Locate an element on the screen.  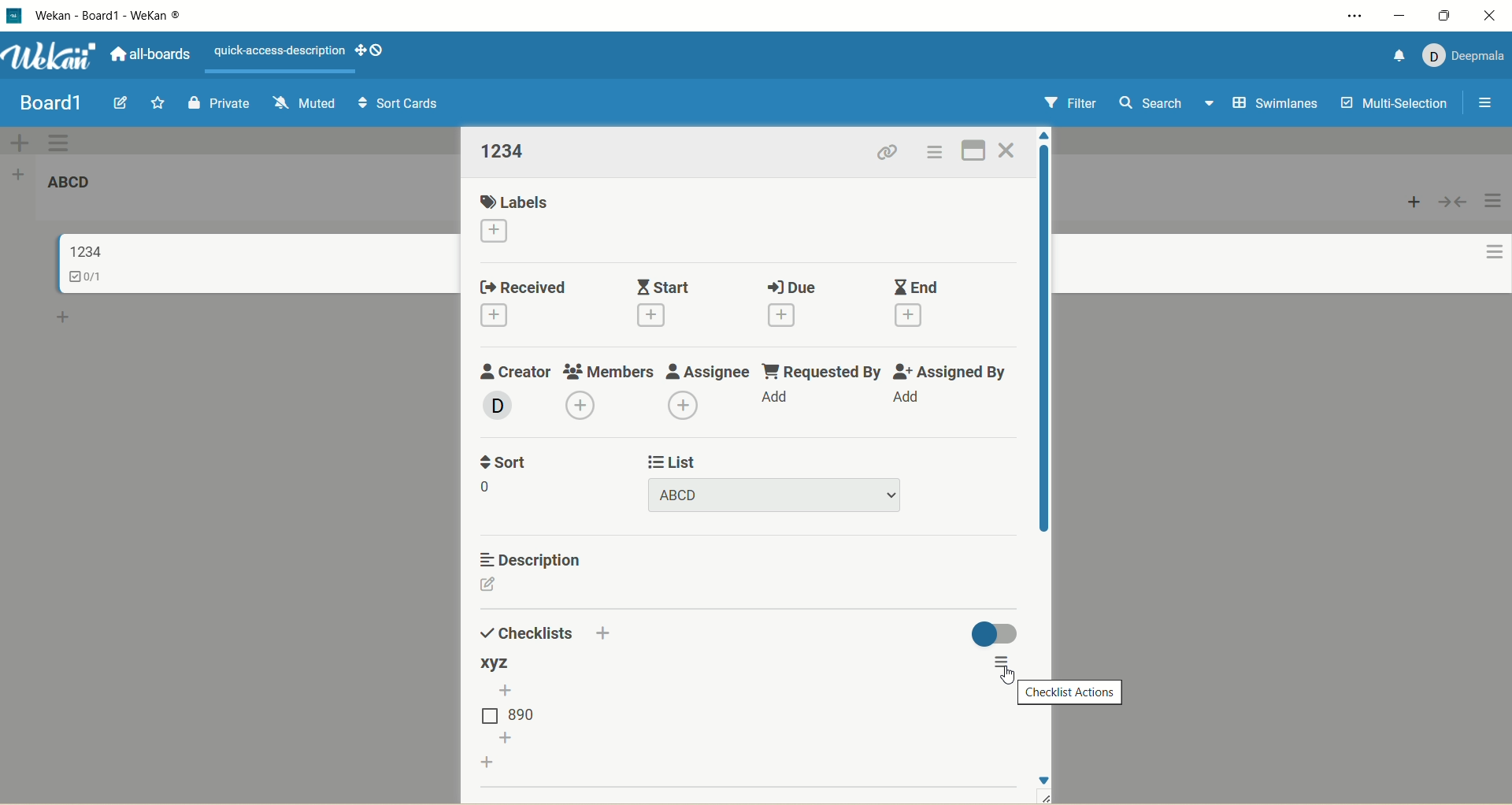
title is located at coordinates (69, 183).